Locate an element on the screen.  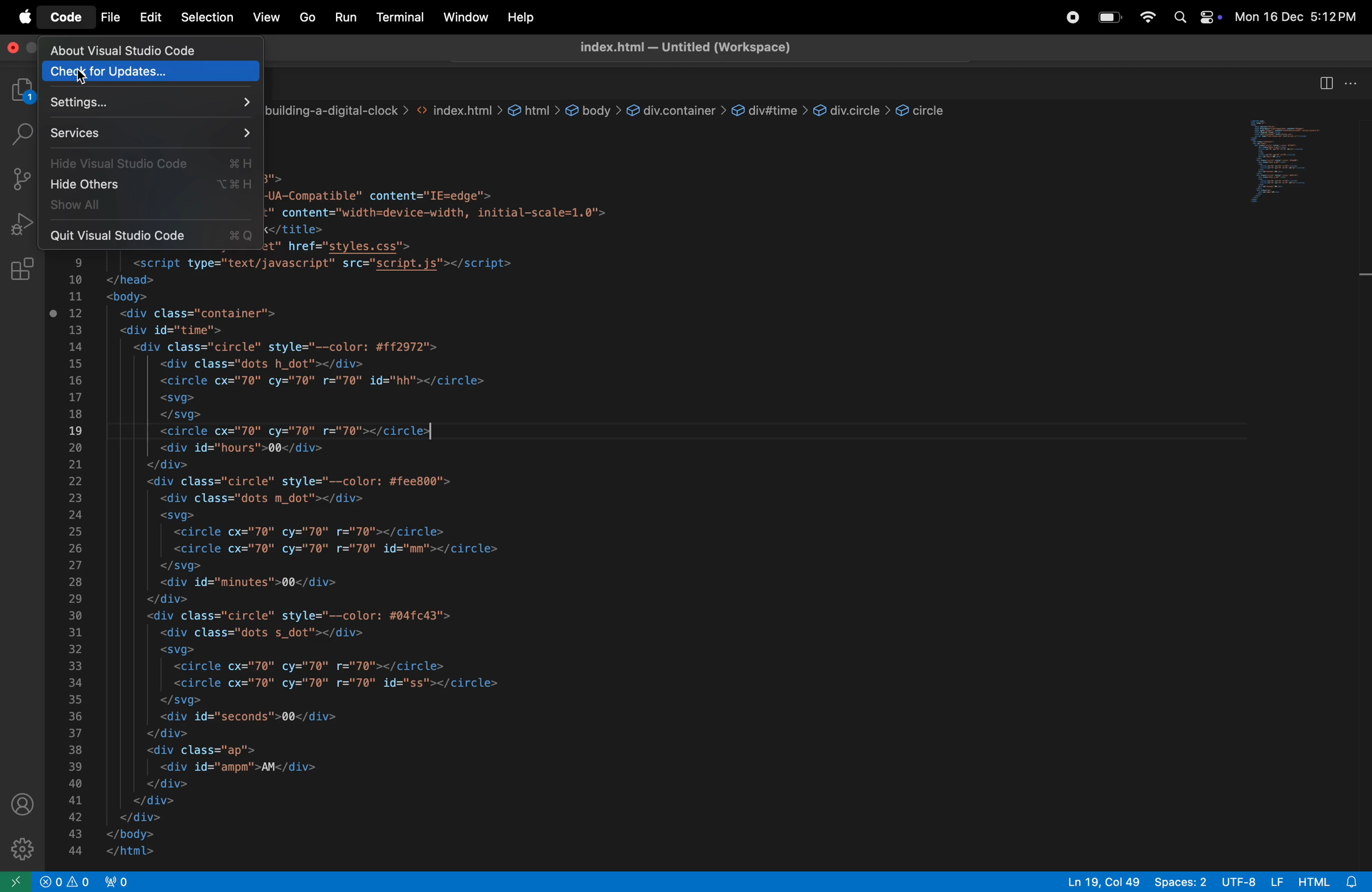
settings is located at coordinates (22, 846).